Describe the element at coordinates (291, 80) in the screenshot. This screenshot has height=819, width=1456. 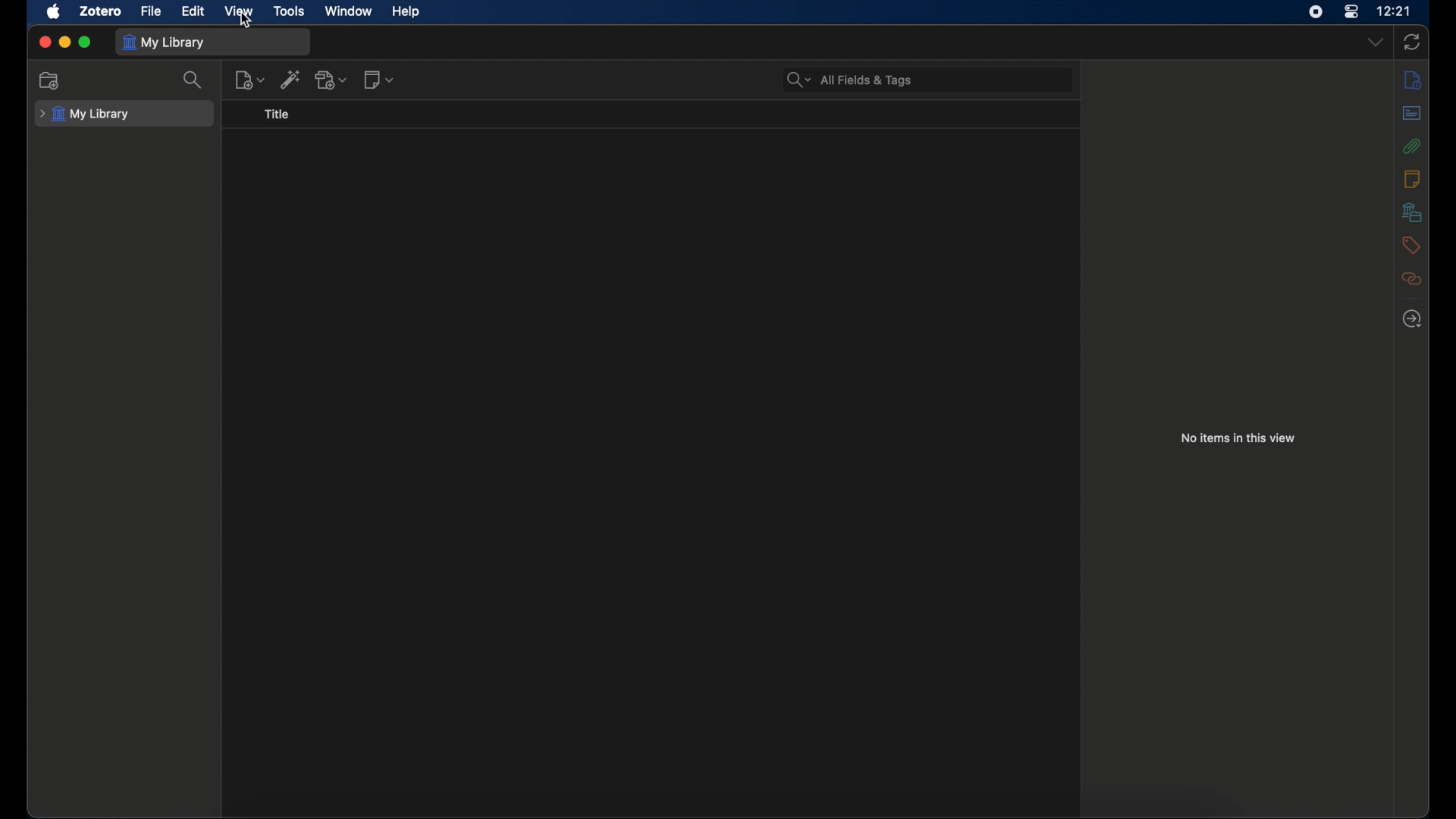
I see `add item by identifier` at that location.